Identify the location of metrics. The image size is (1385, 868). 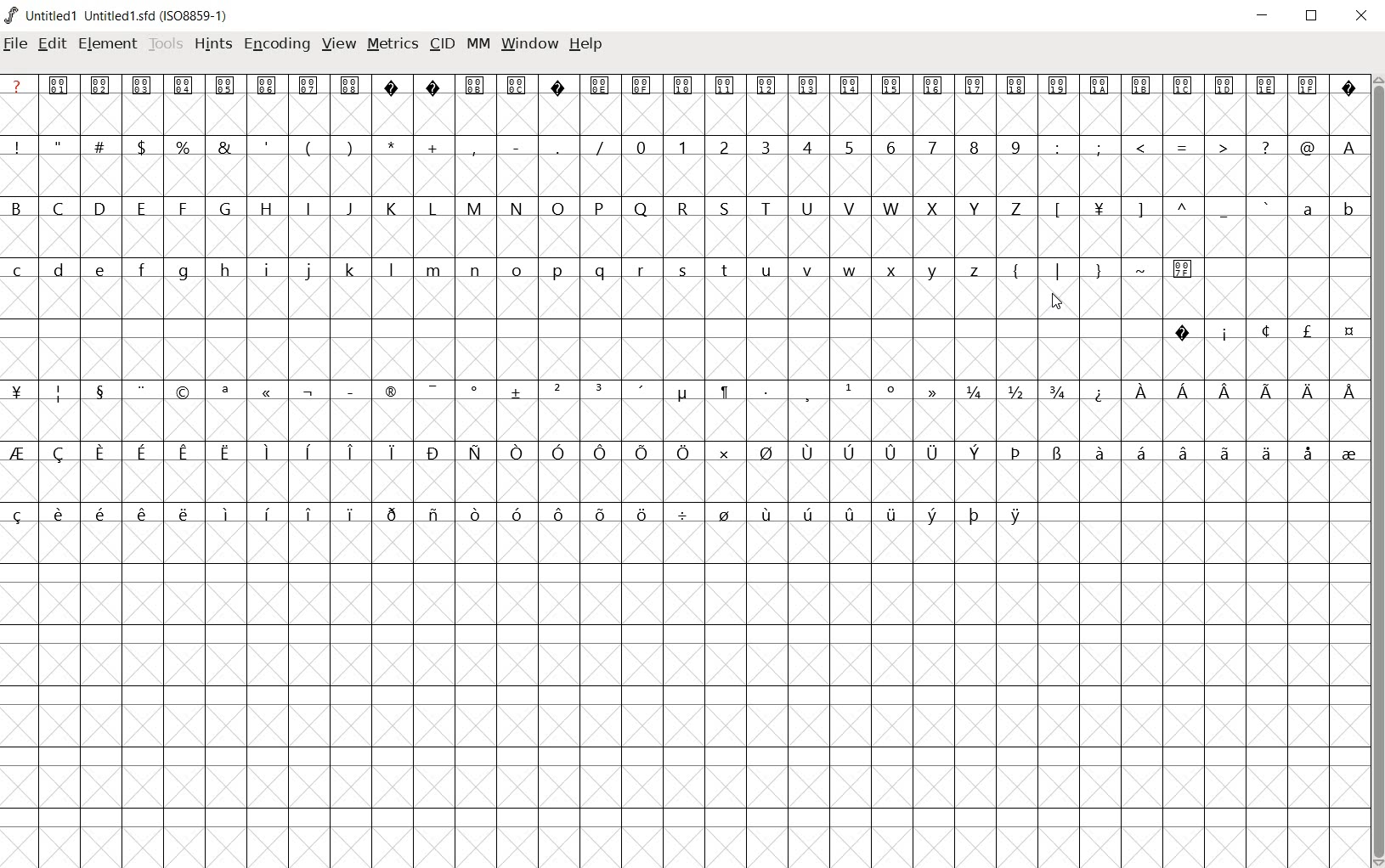
(393, 42).